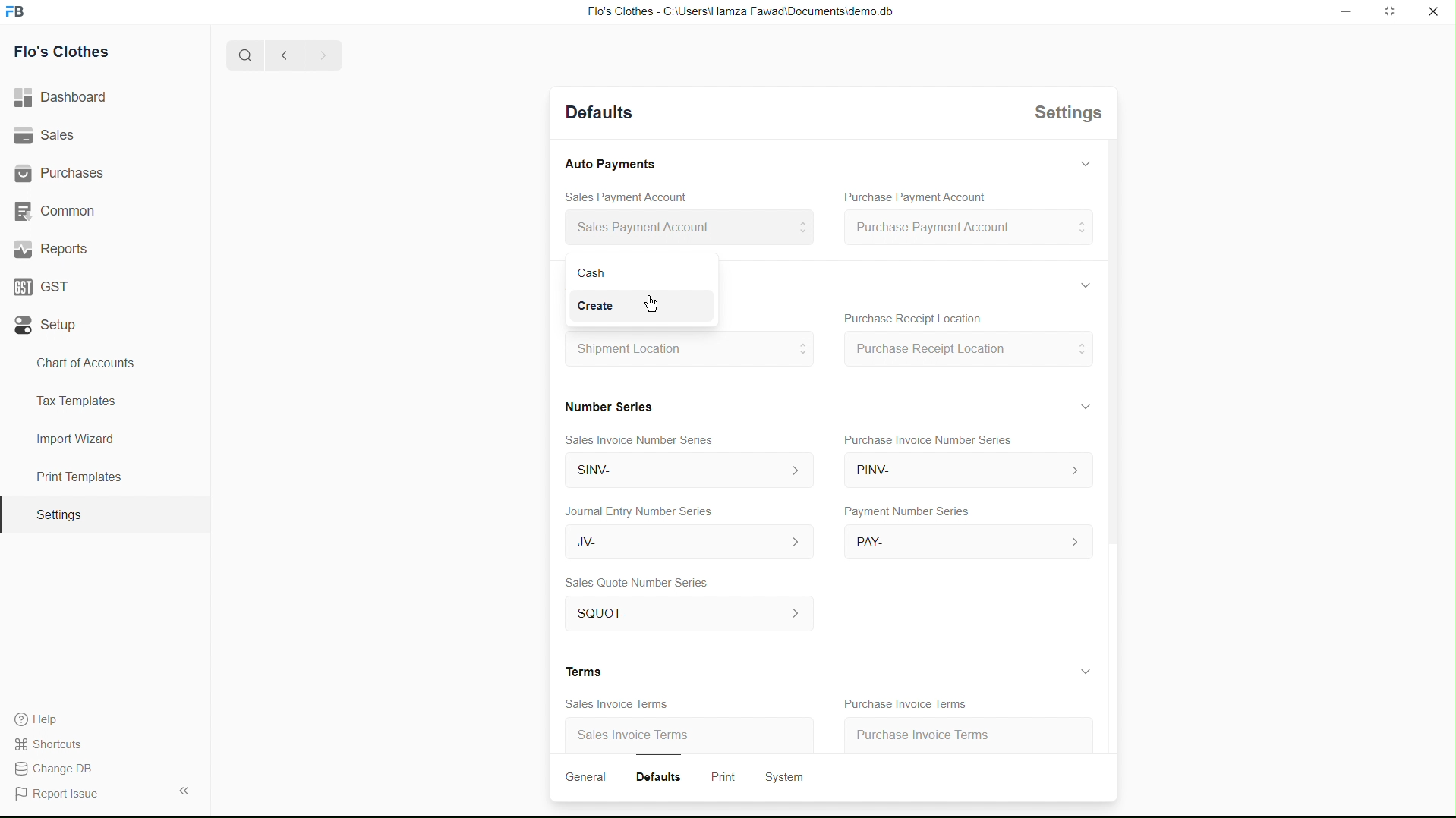  I want to click on Auto Payments, so click(608, 164).